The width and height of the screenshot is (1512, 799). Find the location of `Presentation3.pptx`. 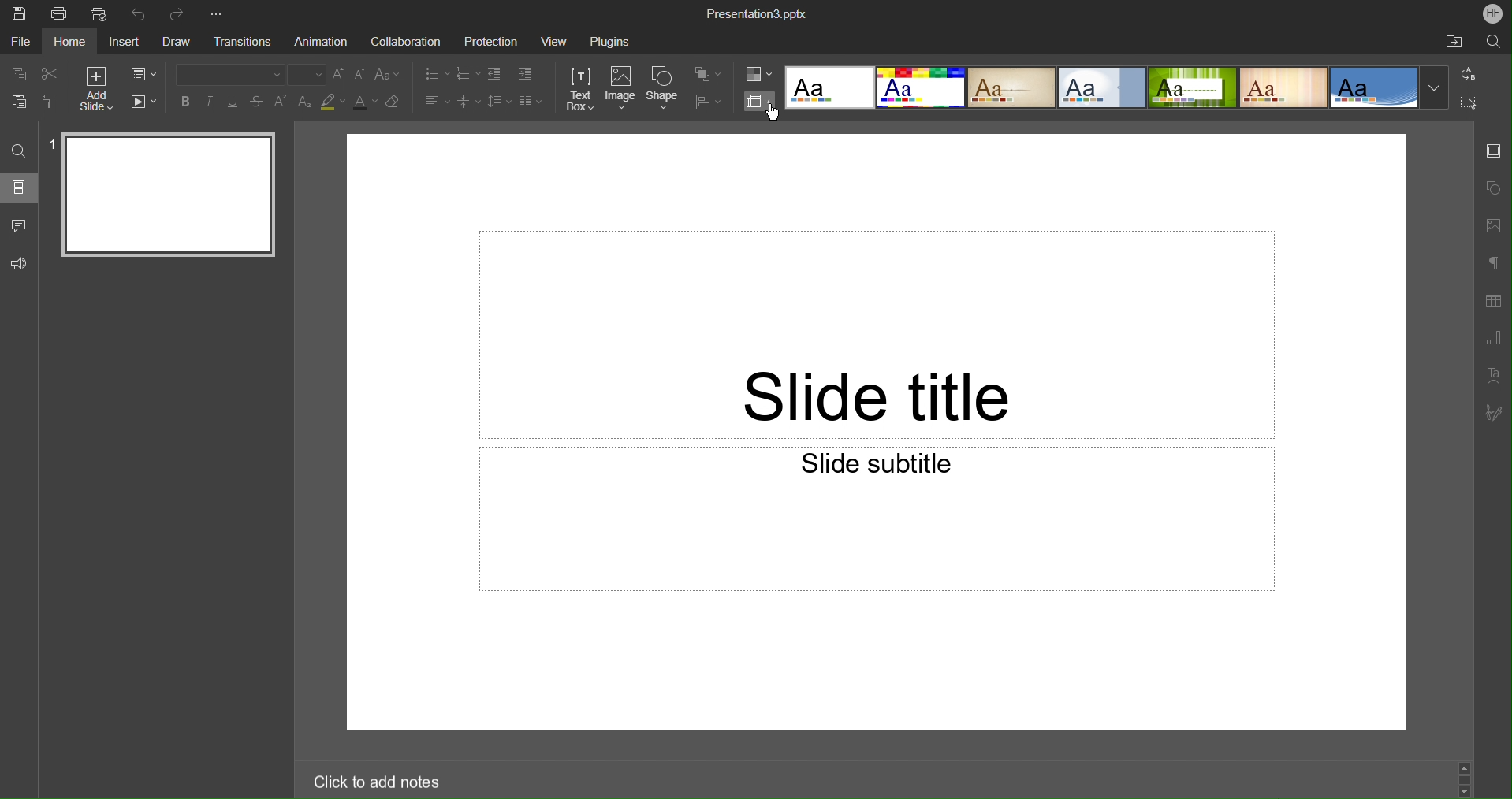

Presentation3.pptx is located at coordinates (758, 13).